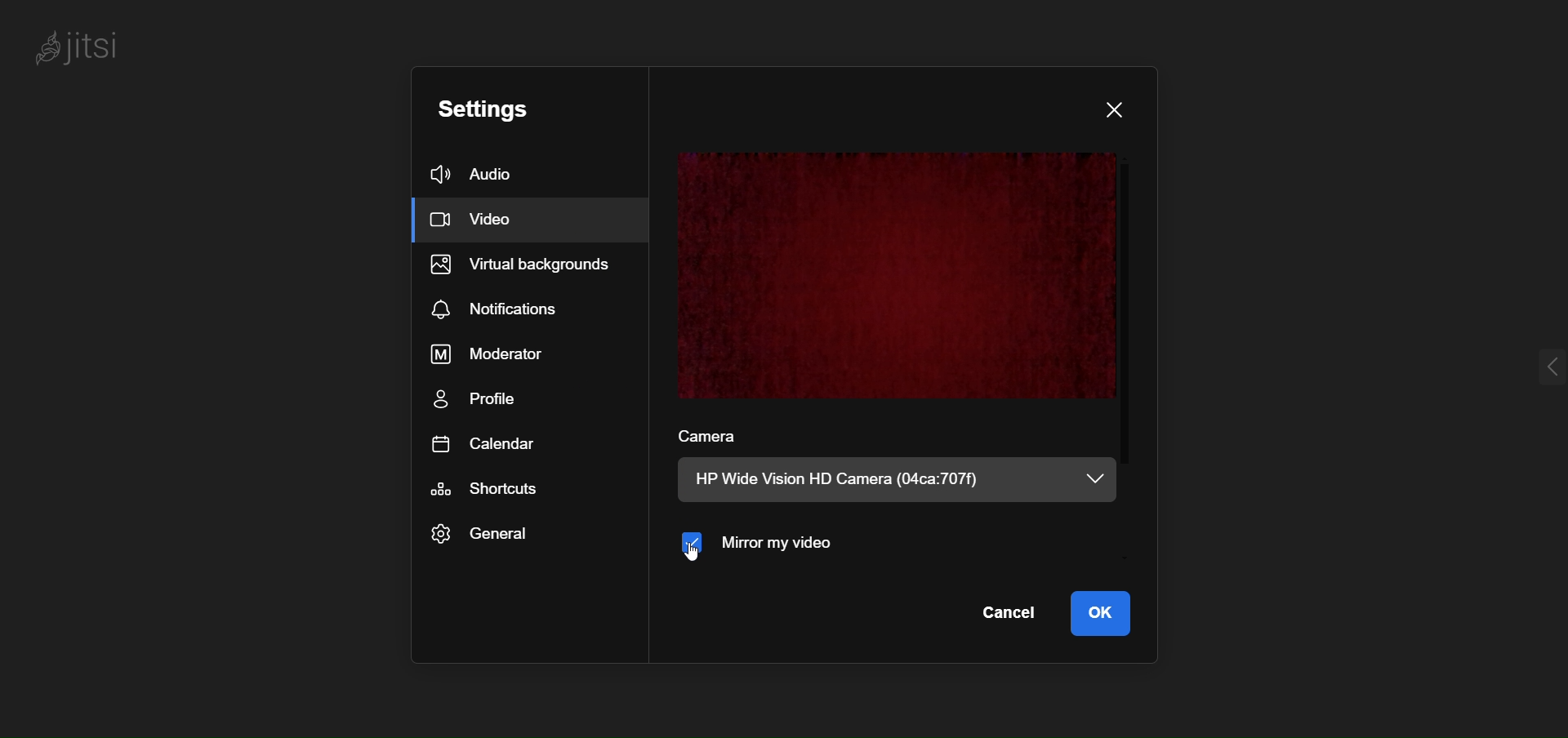  Describe the element at coordinates (490, 220) in the screenshot. I see `video` at that location.